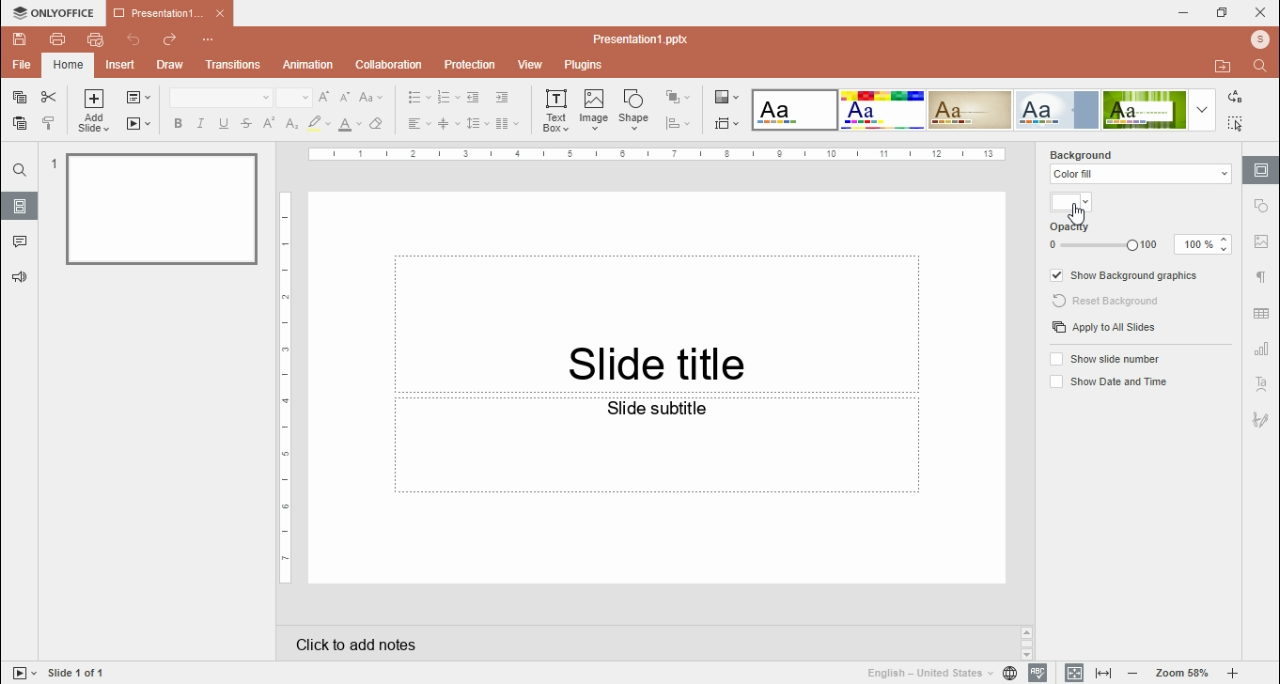  I want to click on theme 2, so click(885, 110).